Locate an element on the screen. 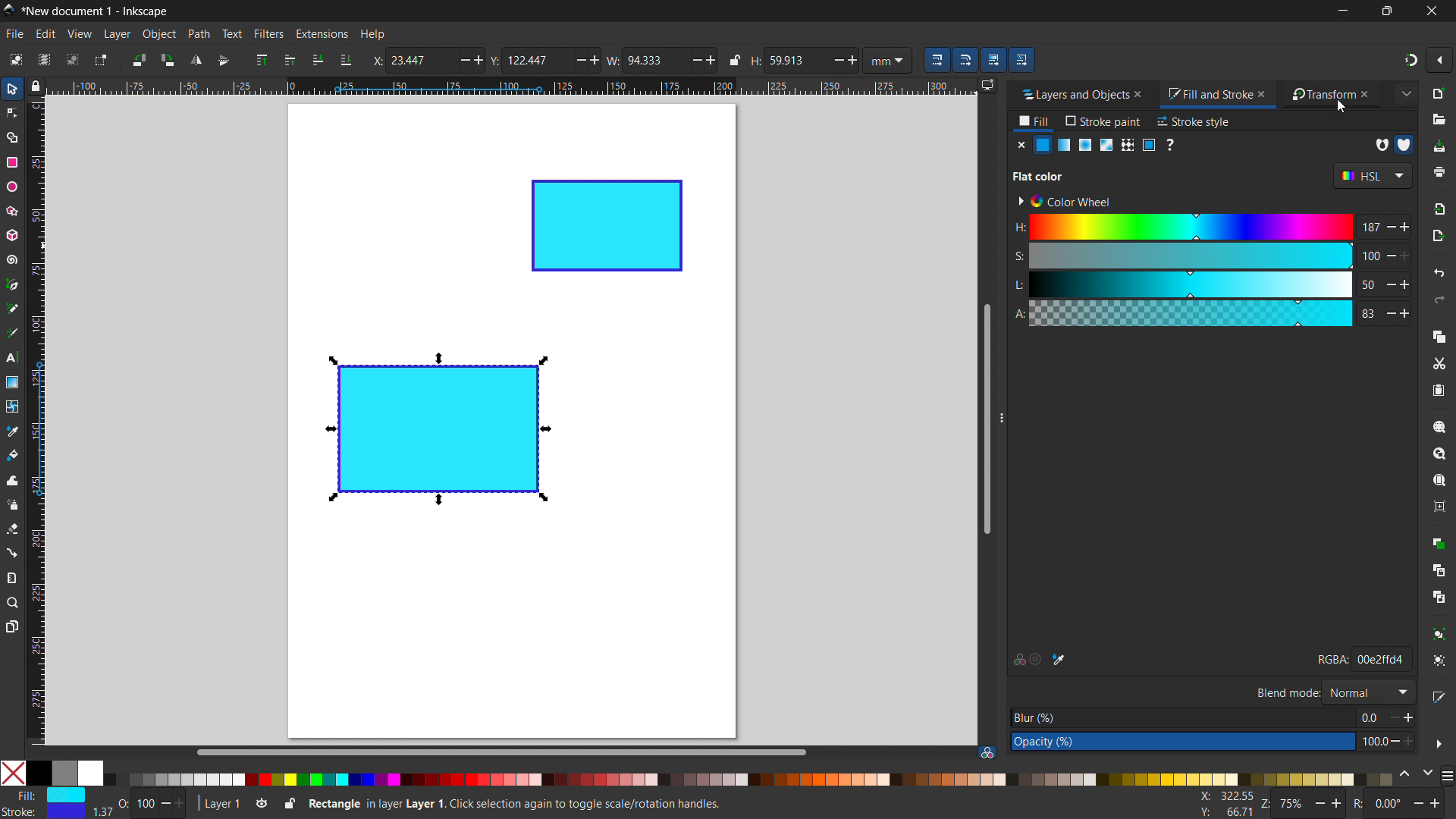 Image resolution: width=1456 pixels, height=819 pixels. fill is solid unless a subpath is counterdirectional is located at coordinates (1404, 144).